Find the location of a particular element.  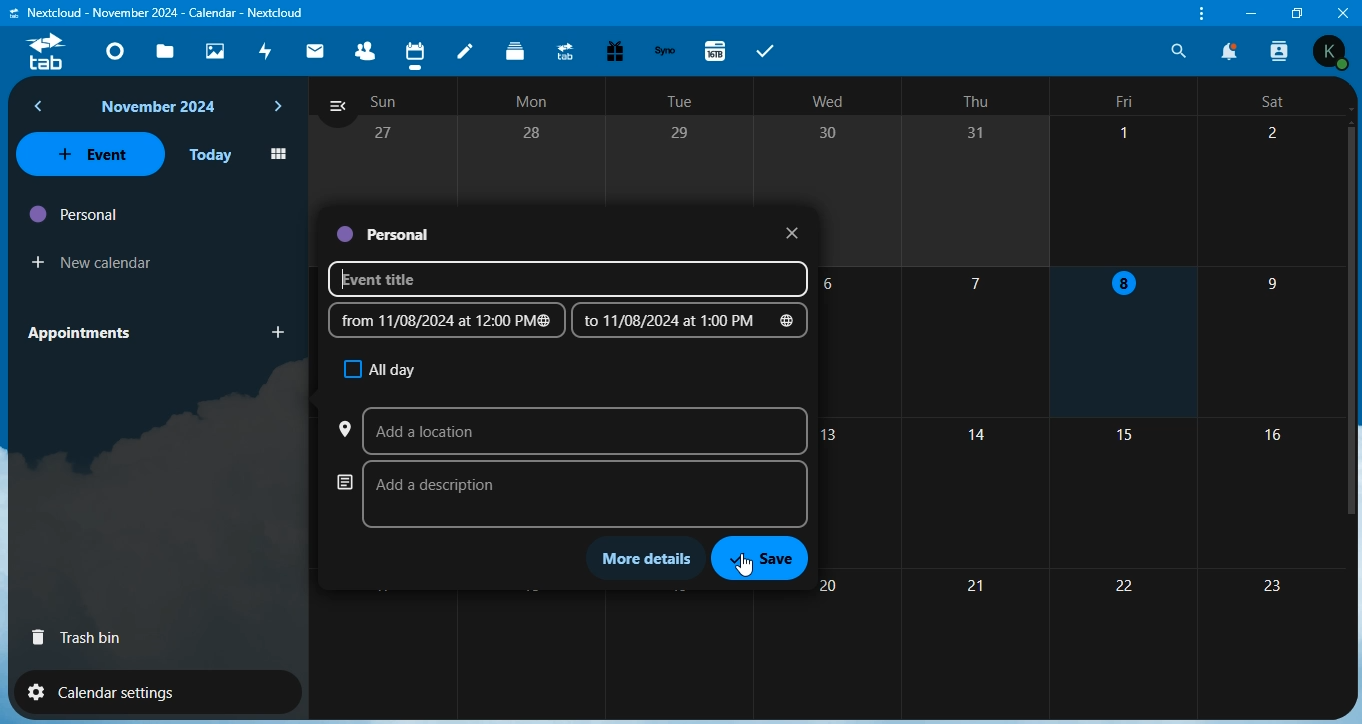

 is located at coordinates (1334, 52).